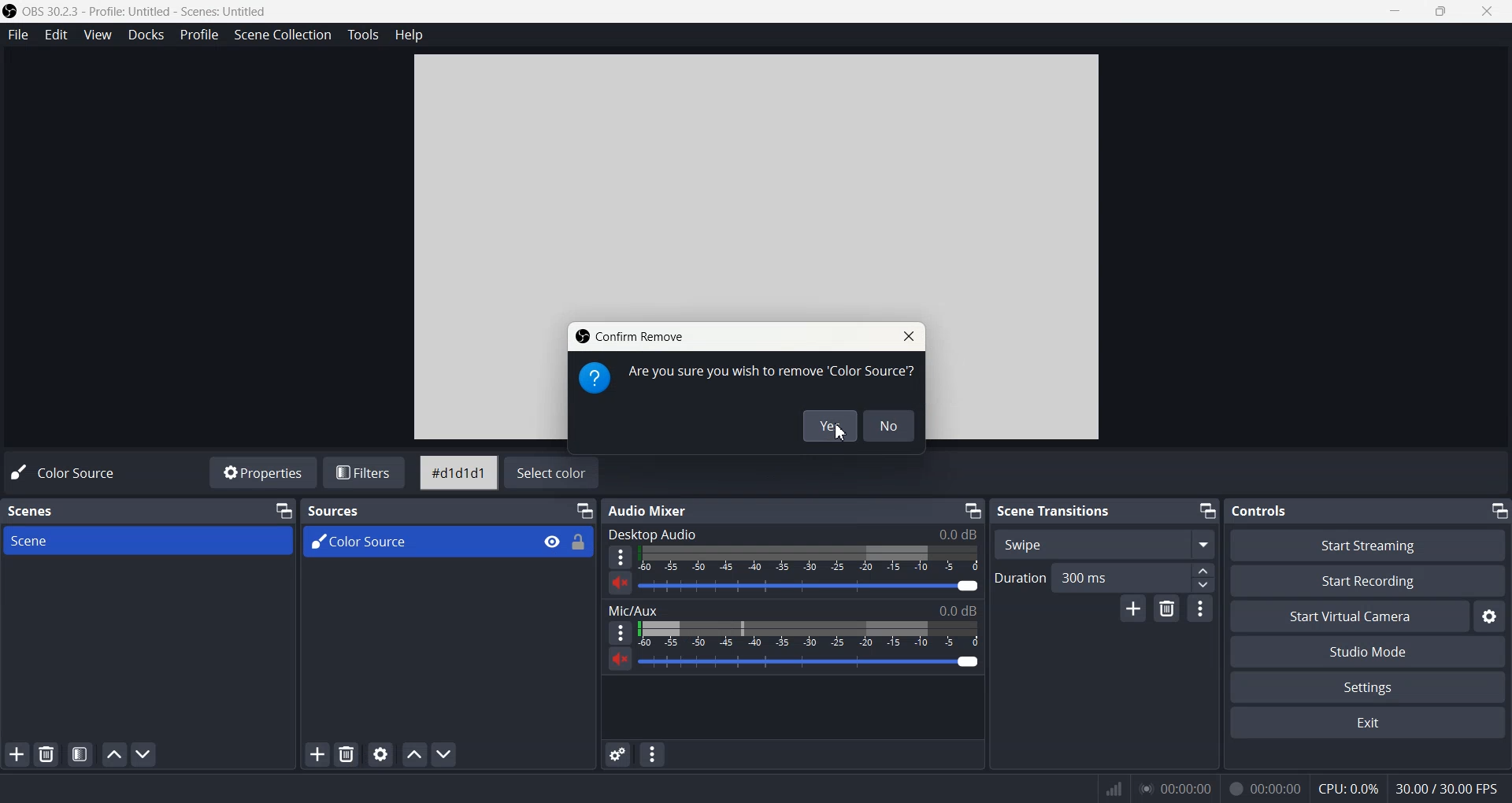 The height and width of the screenshot is (803, 1512). I want to click on 00:00:00, so click(1262, 786).